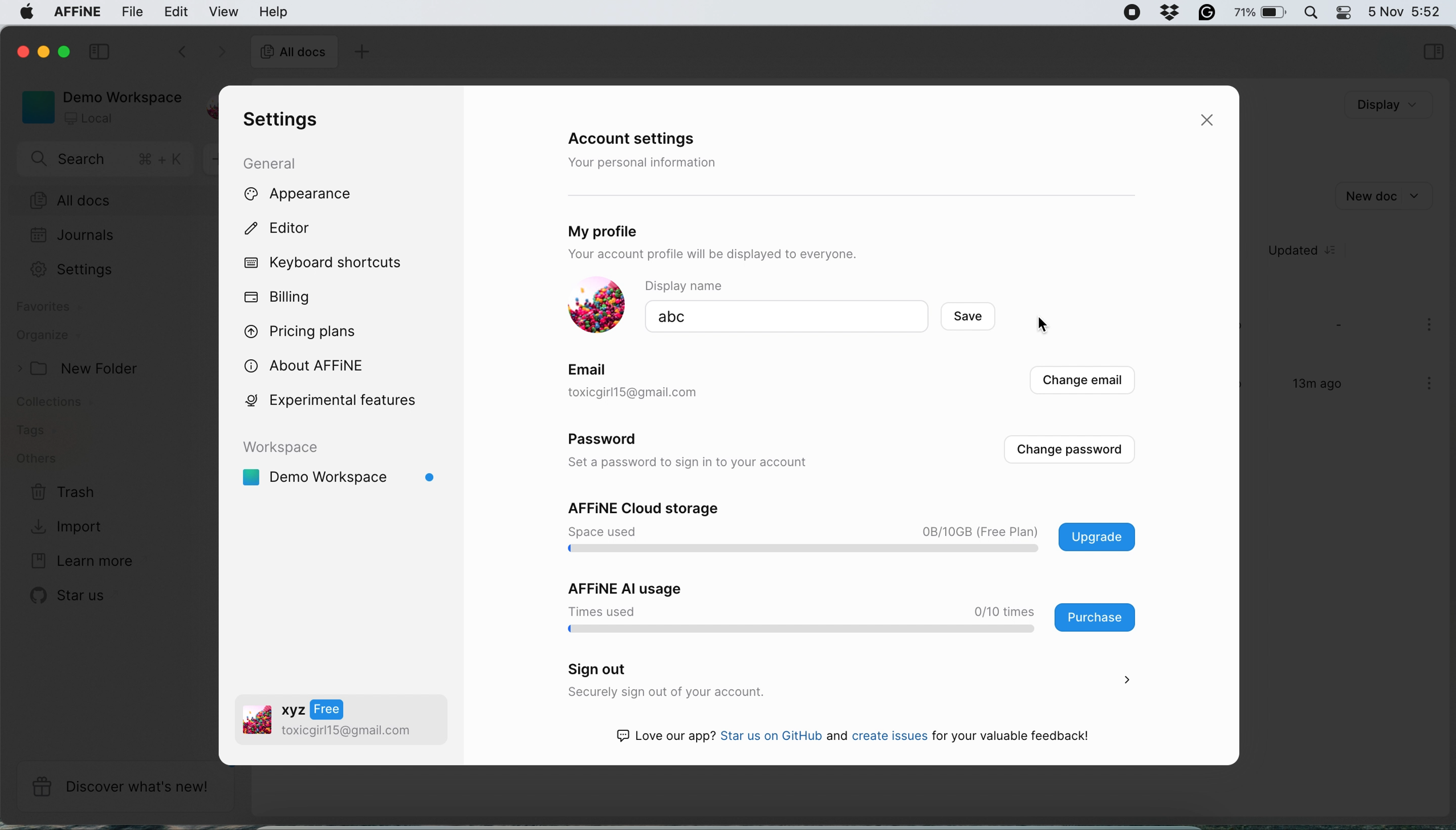 The image size is (1456, 830). Describe the element at coordinates (64, 493) in the screenshot. I see `trash` at that location.